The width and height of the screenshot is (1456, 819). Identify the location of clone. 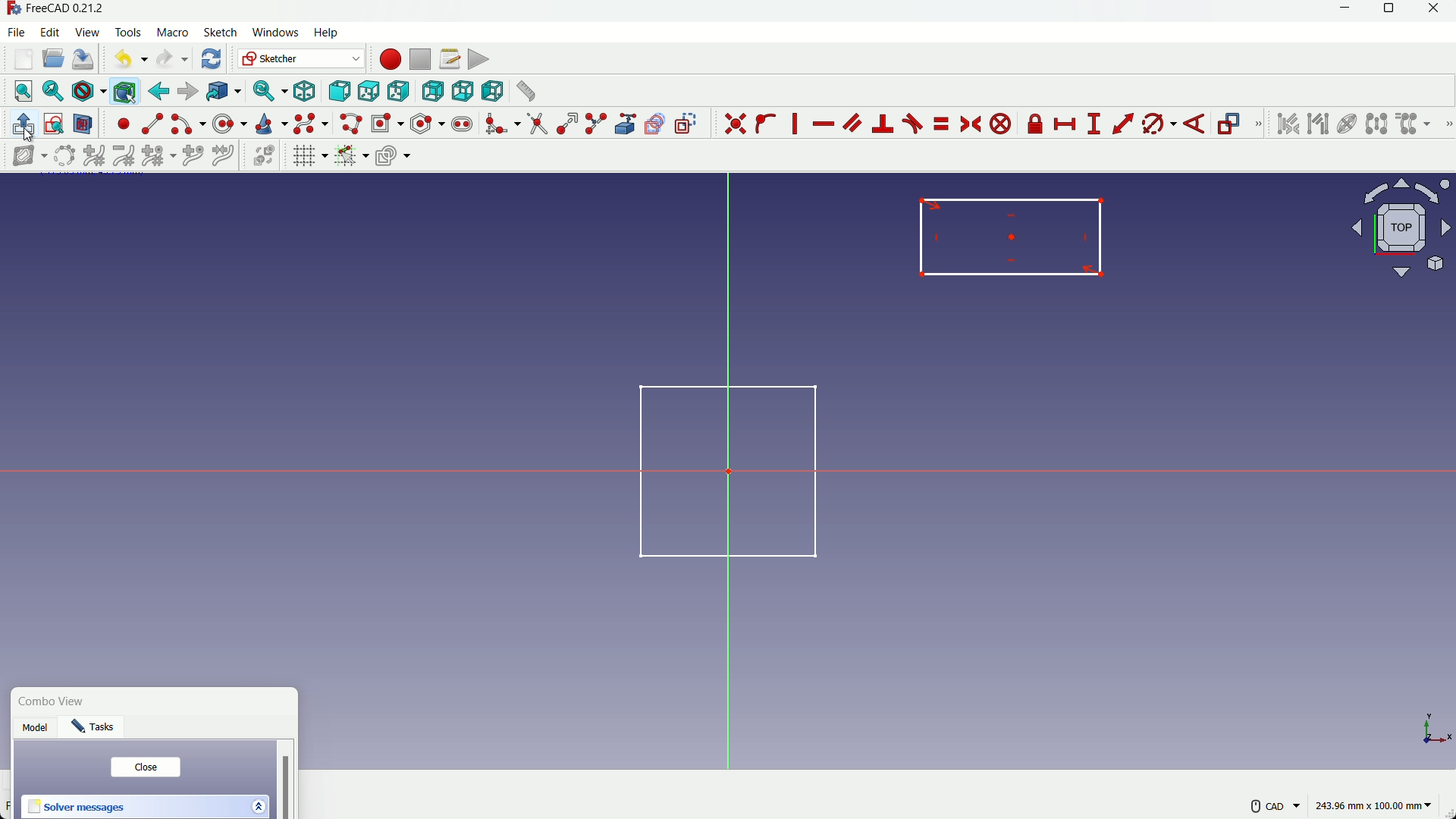
(1414, 125).